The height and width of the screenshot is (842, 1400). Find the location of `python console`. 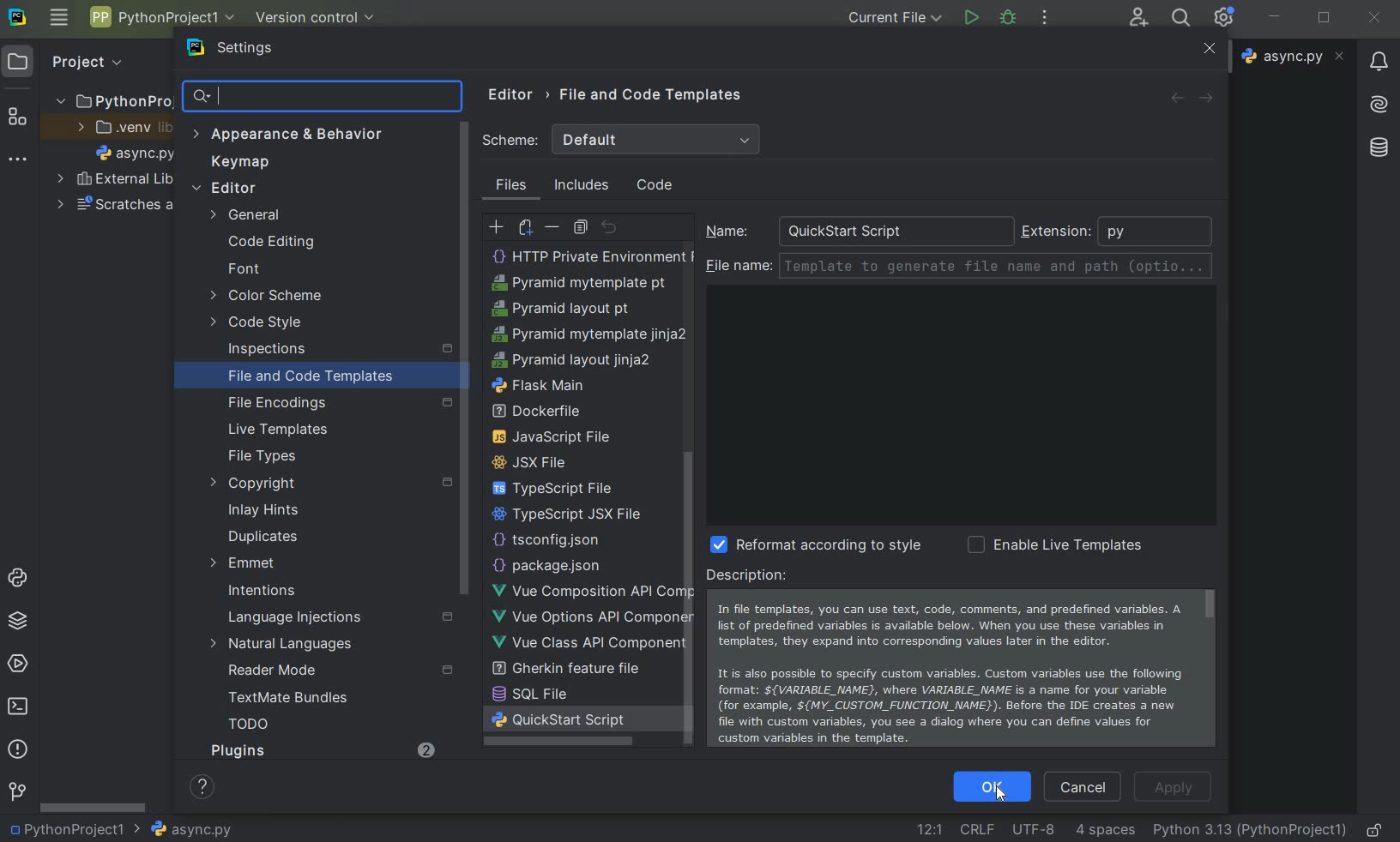

python console is located at coordinates (18, 575).